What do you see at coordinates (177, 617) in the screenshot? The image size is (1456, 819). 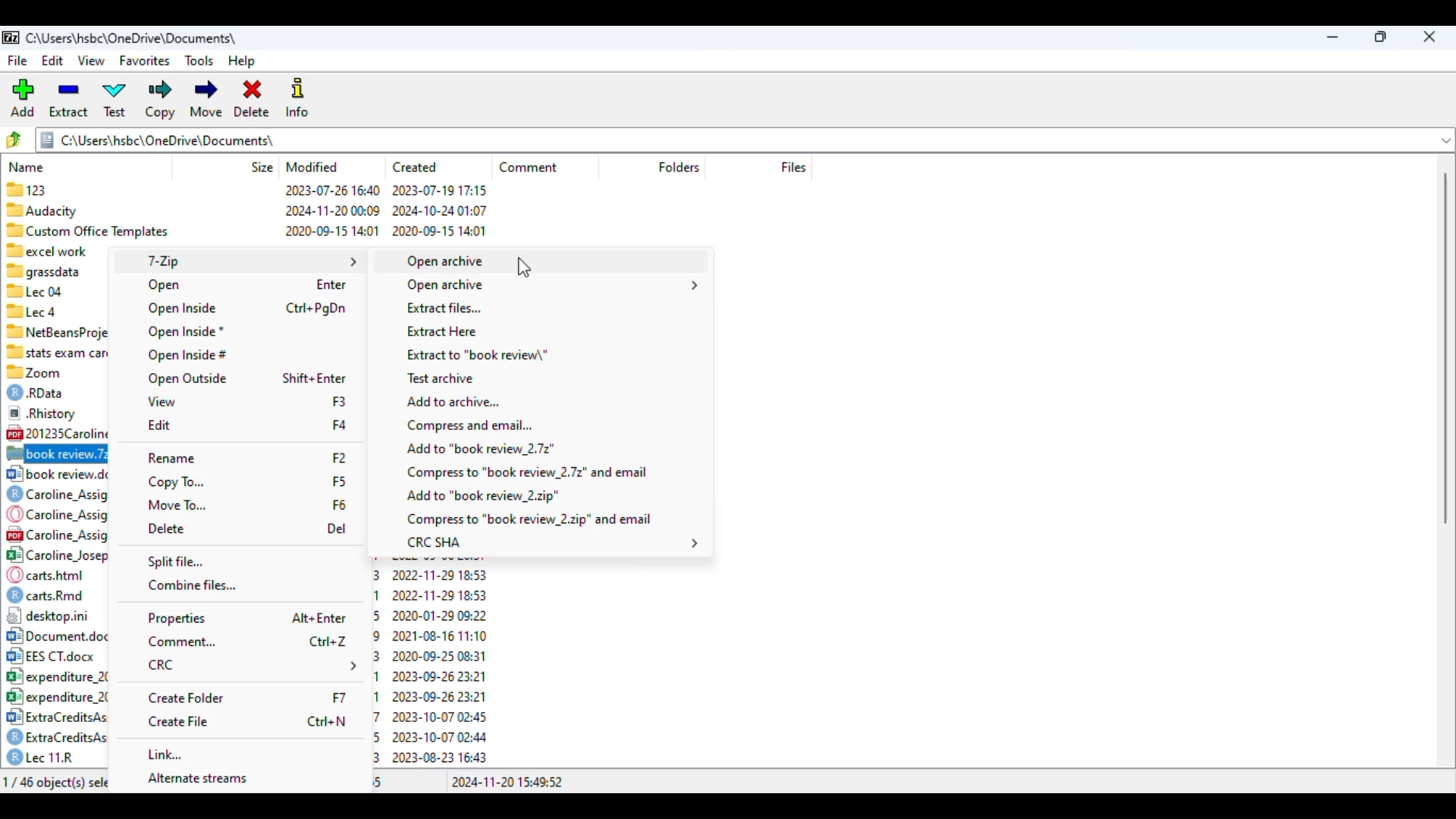 I see `properties` at bounding box center [177, 617].